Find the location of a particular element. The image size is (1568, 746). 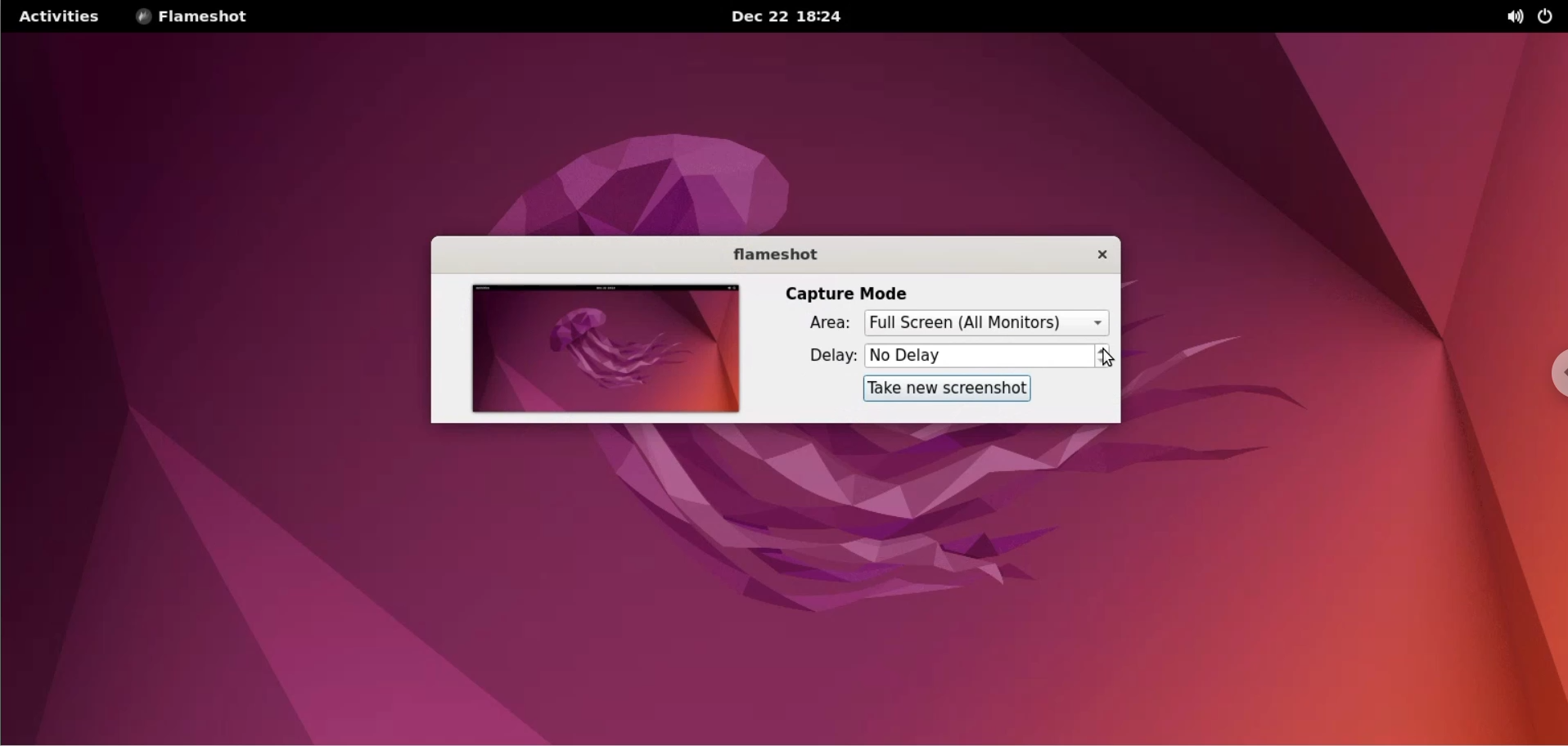

sound options is located at coordinates (1507, 17).